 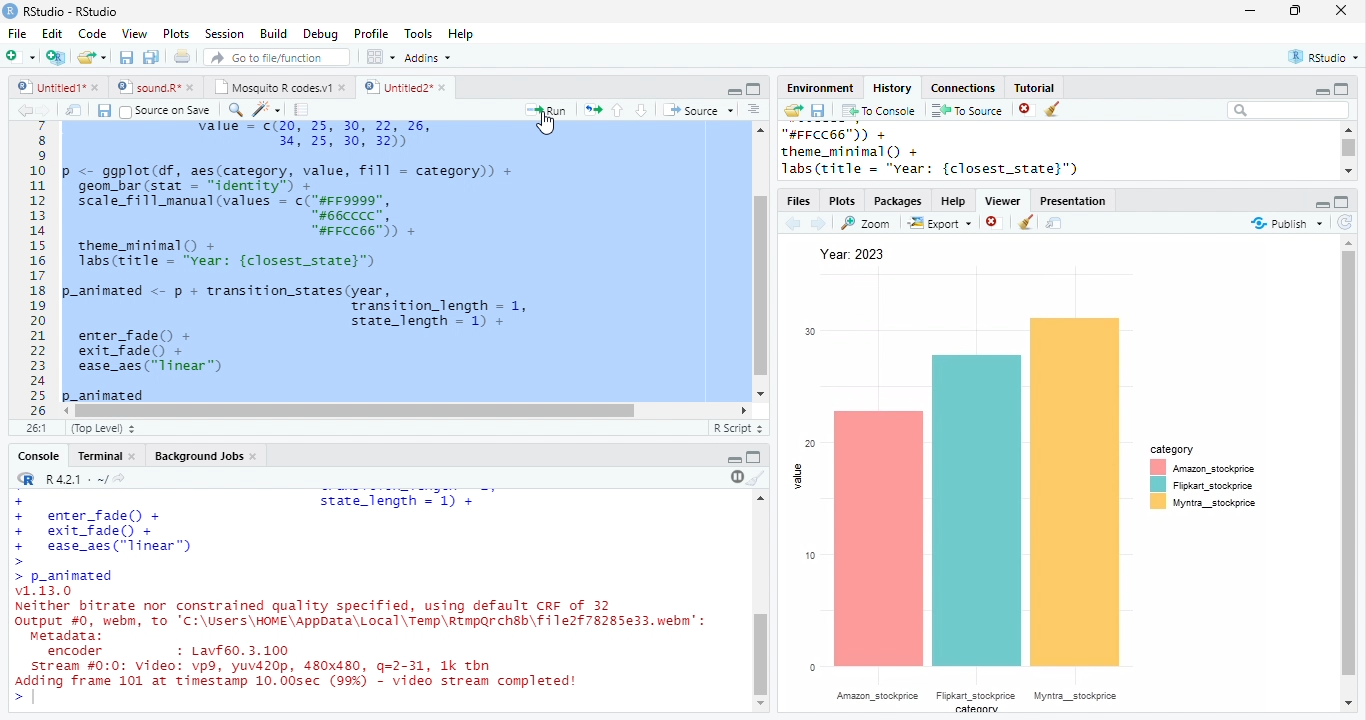 What do you see at coordinates (546, 123) in the screenshot?
I see `cursor` at bounding box center [546, 123].